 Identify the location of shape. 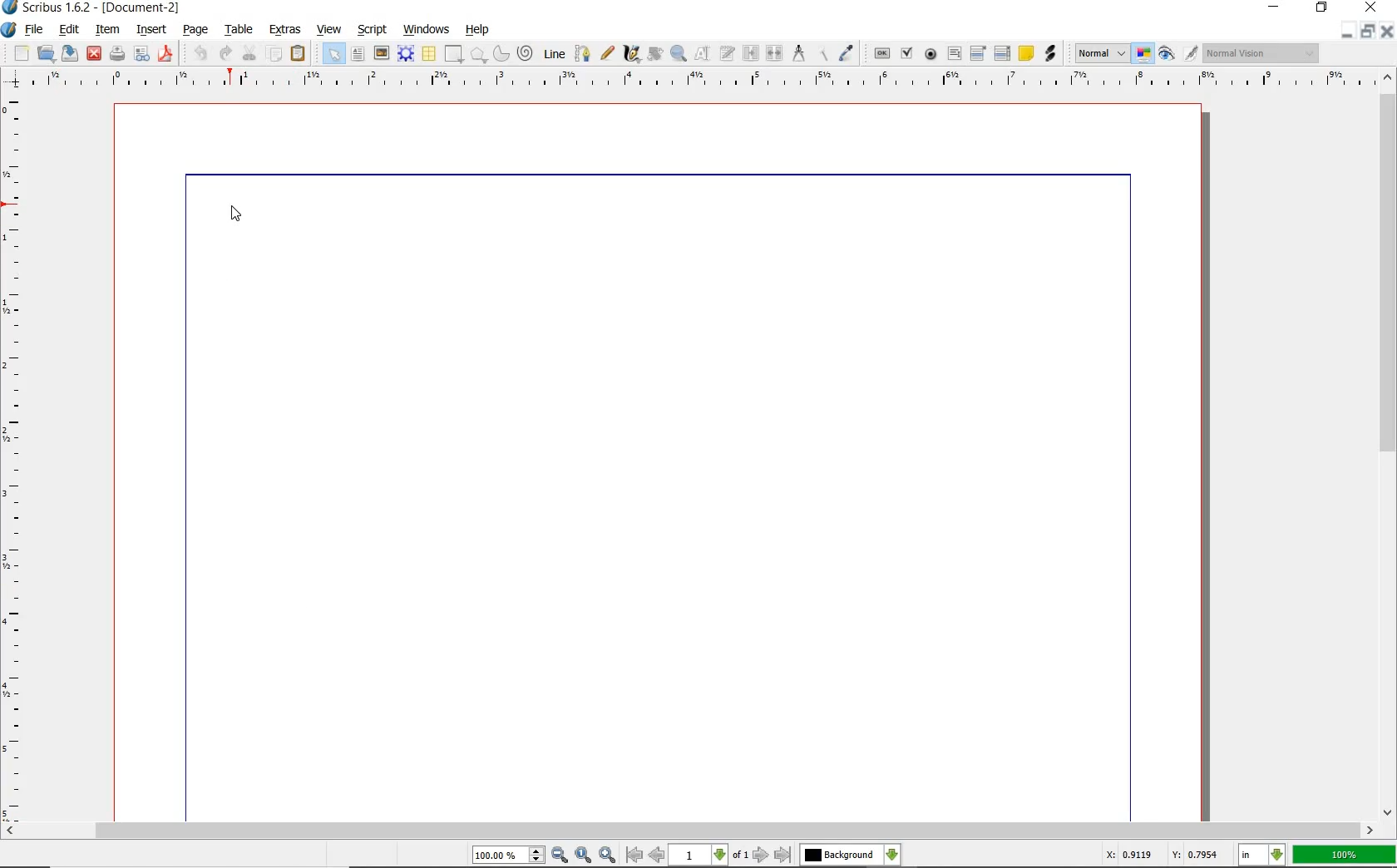
(454, 55).